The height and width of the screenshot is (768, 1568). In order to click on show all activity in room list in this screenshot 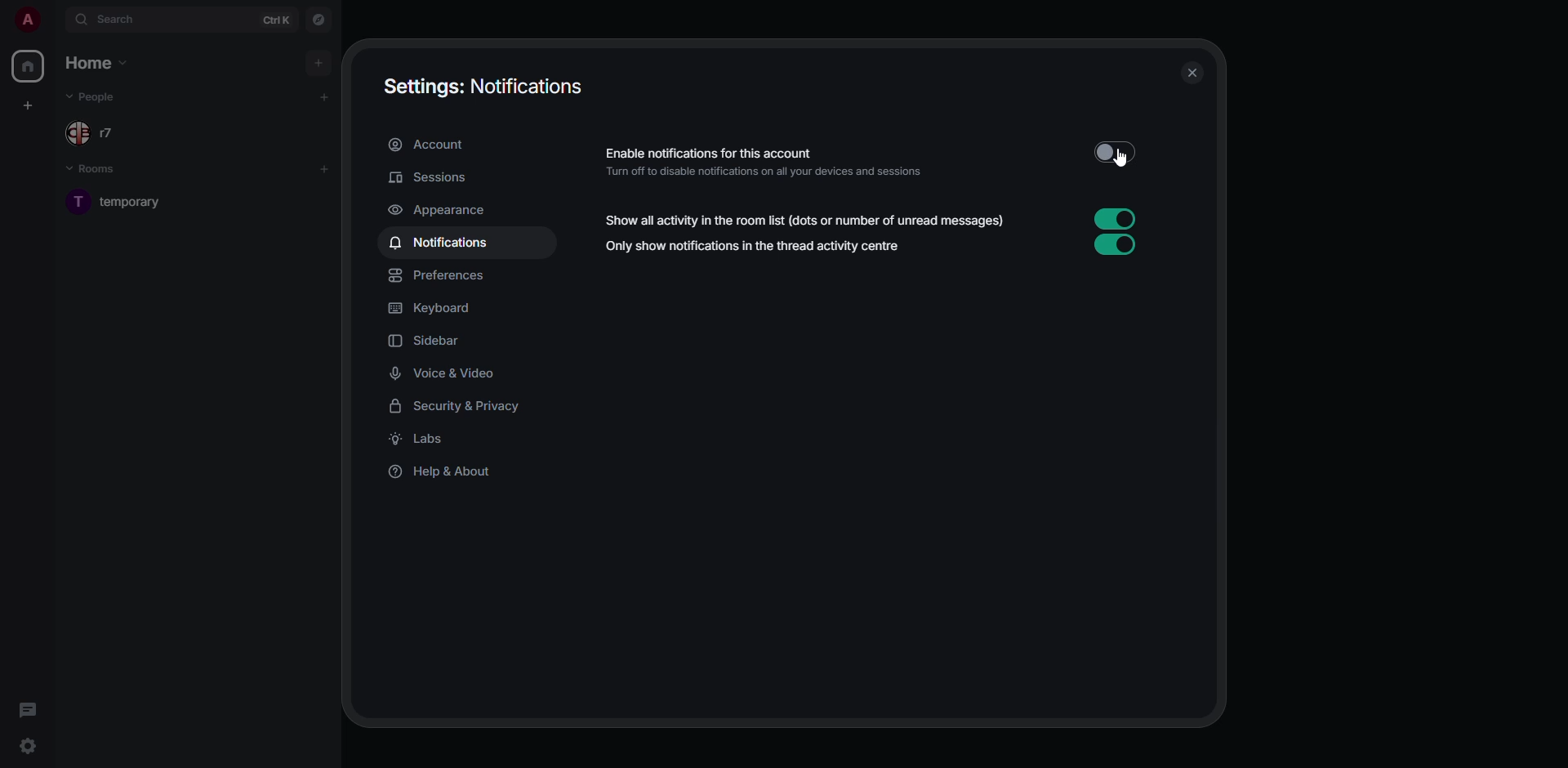, I will do `click(806, 221)`.